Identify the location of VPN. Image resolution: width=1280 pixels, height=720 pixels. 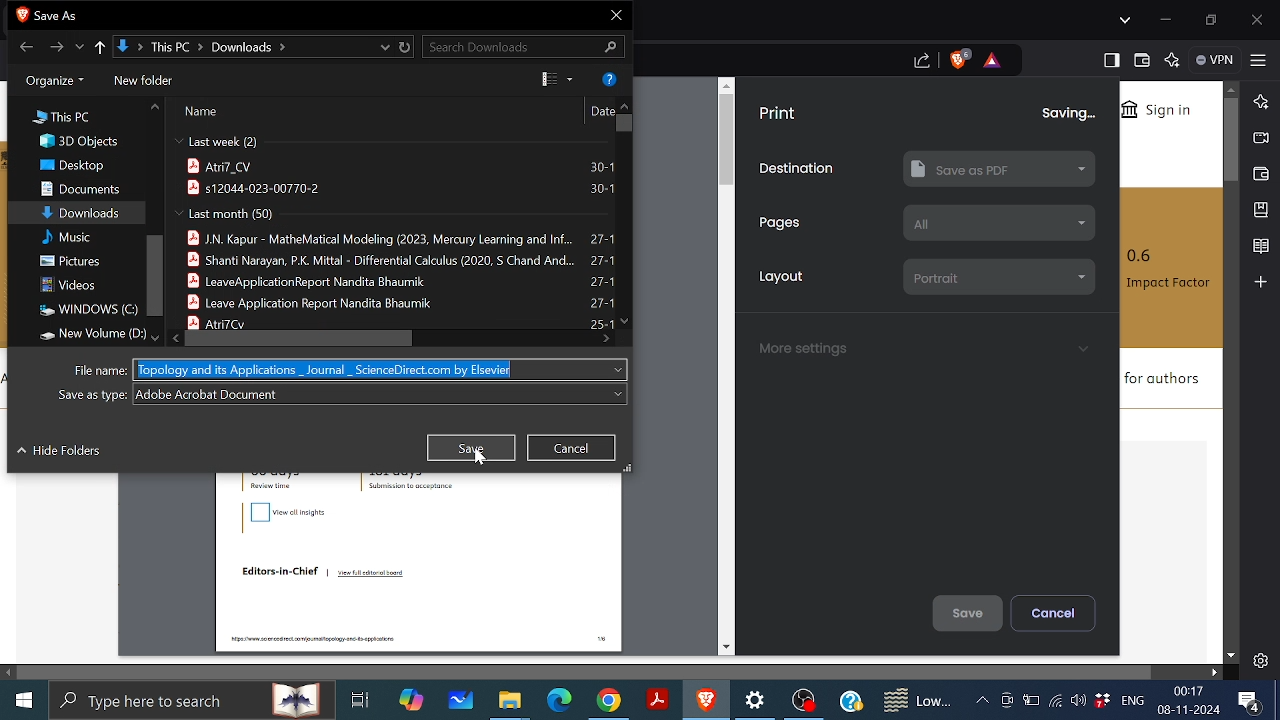
(1215, 61).